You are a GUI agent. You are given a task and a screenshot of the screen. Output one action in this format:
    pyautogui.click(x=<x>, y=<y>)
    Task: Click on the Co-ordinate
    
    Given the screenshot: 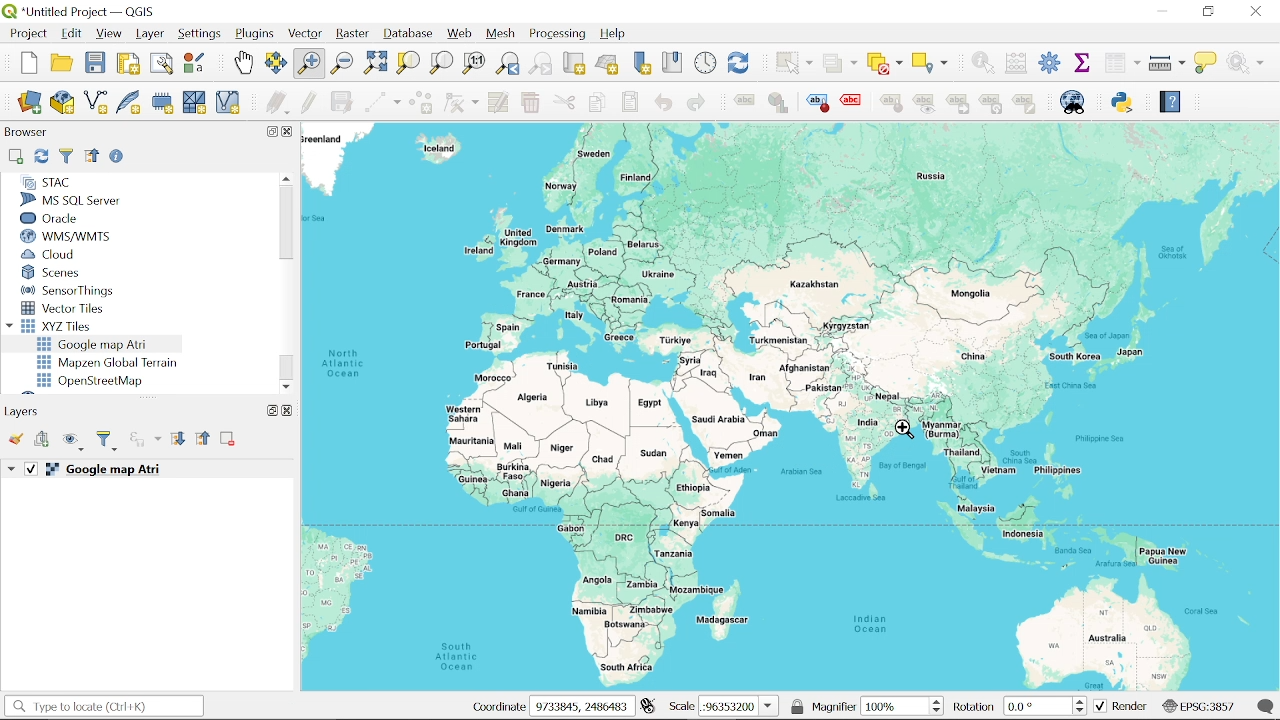 What is the action you would take?
    pyautogui.click(x=579, y=706)
    